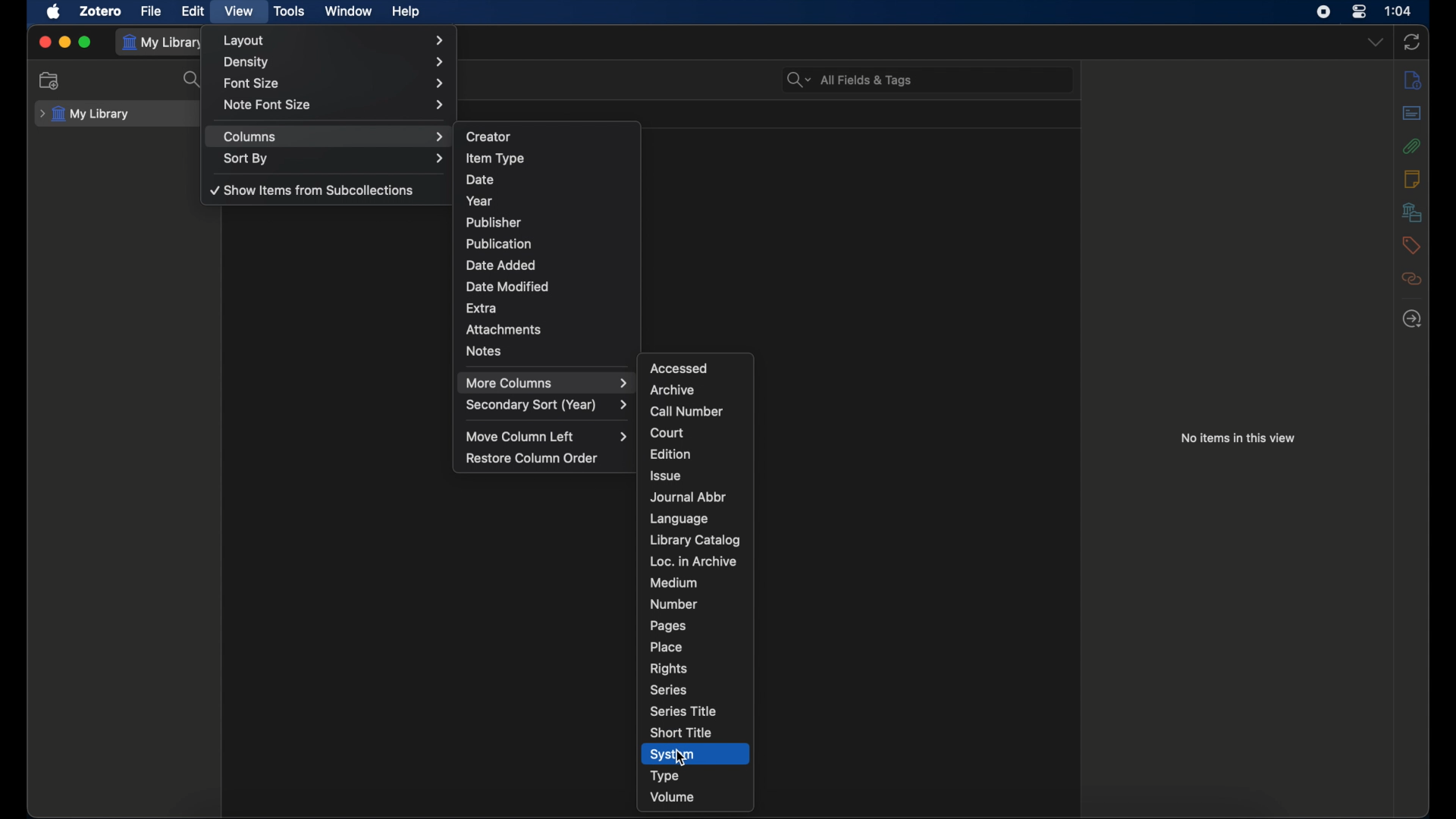  Describe the element at coordinates (347, 11) in the screenshot. I see `window` at that location.